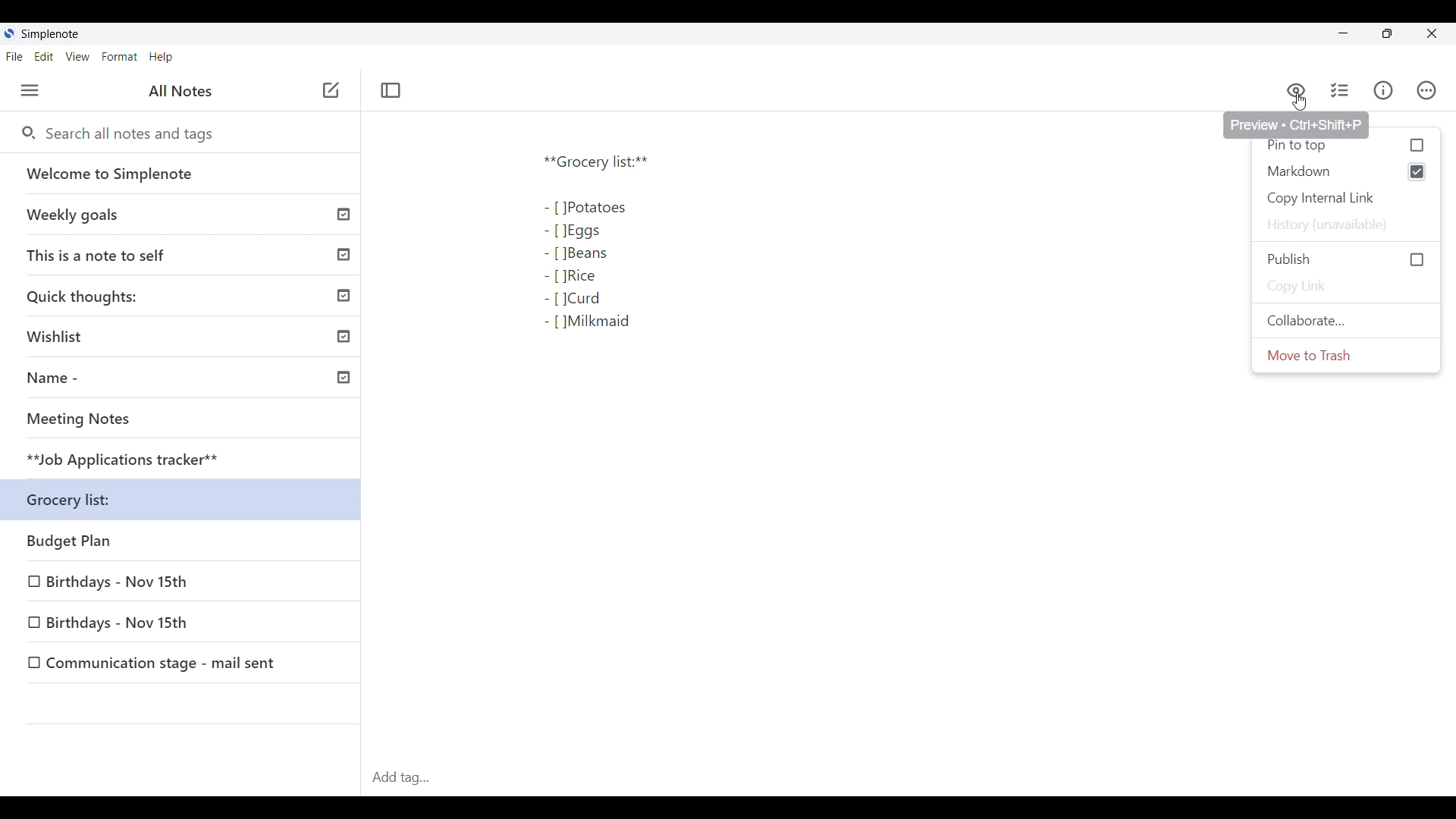 This screenshot has width=1456, height=819. What do you see at coordinates (1417, 171) in the screenshot?
I see `Markdown toggle on` at bounding box center [1417, 171].